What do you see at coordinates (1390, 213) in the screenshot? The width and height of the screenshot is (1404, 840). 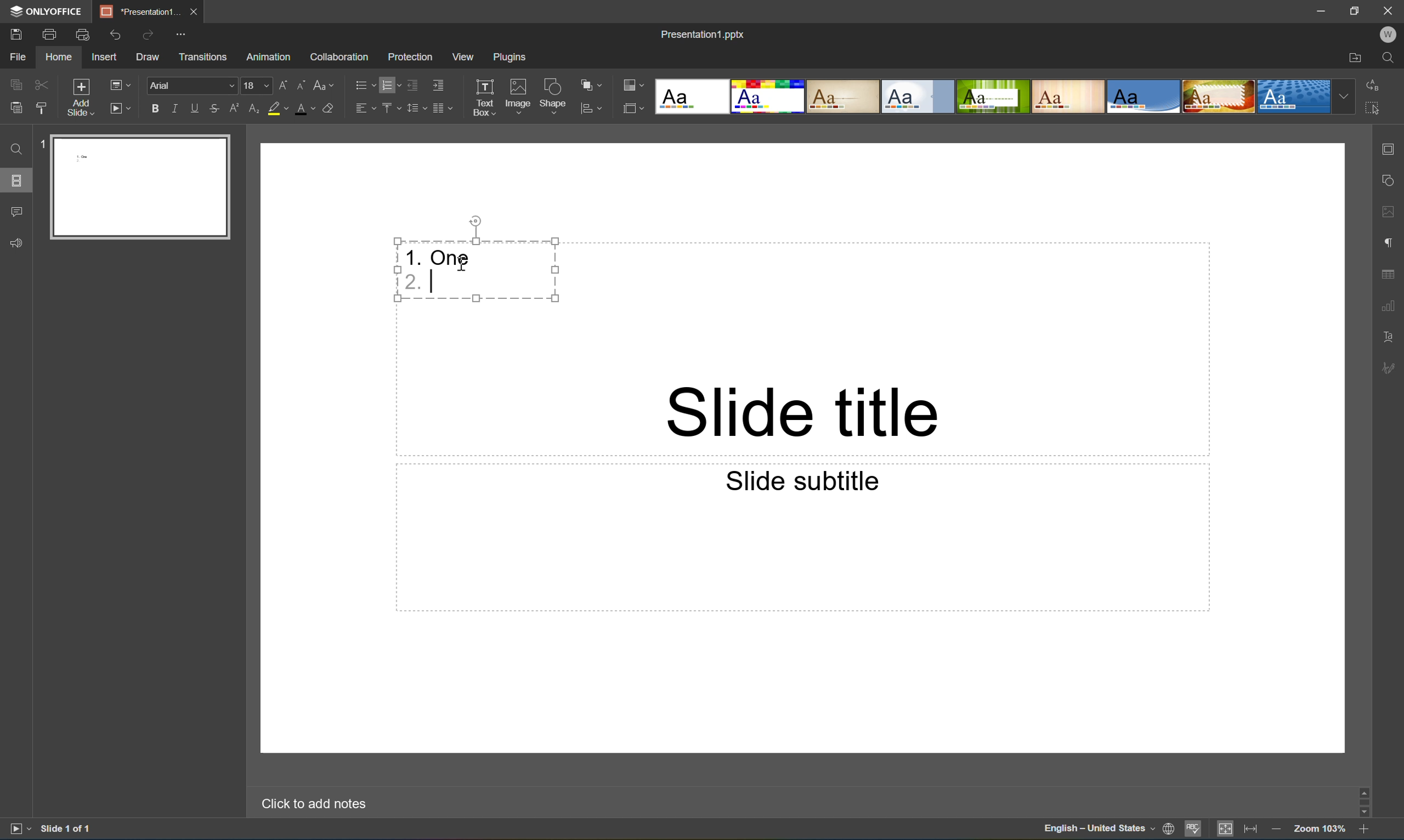 I see `Image settings` at bounding box center [1390, 213].